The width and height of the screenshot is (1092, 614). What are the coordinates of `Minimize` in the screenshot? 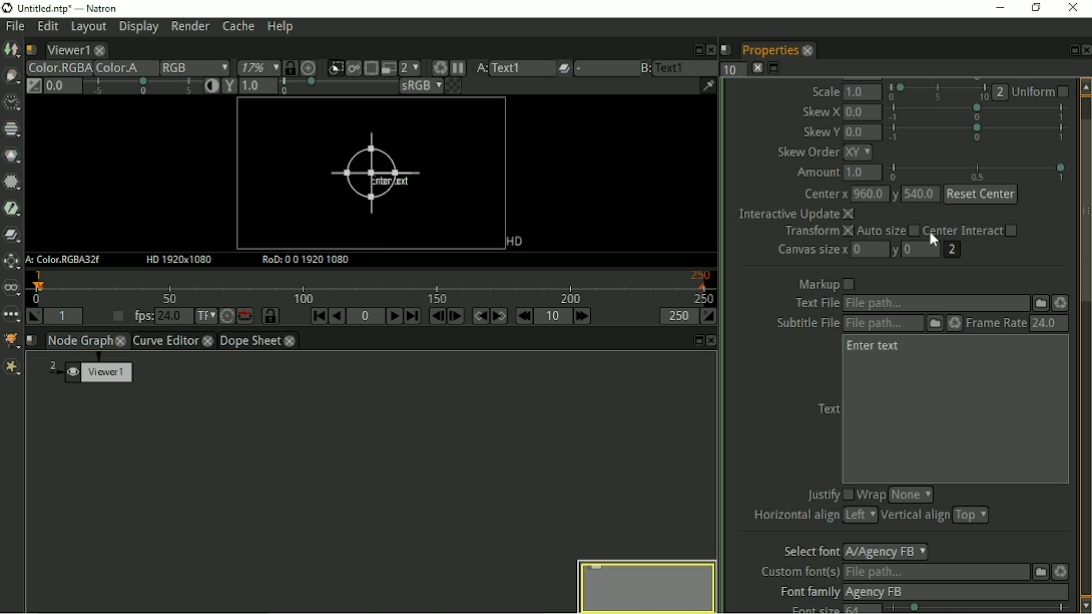 It's located at (1003, 8).